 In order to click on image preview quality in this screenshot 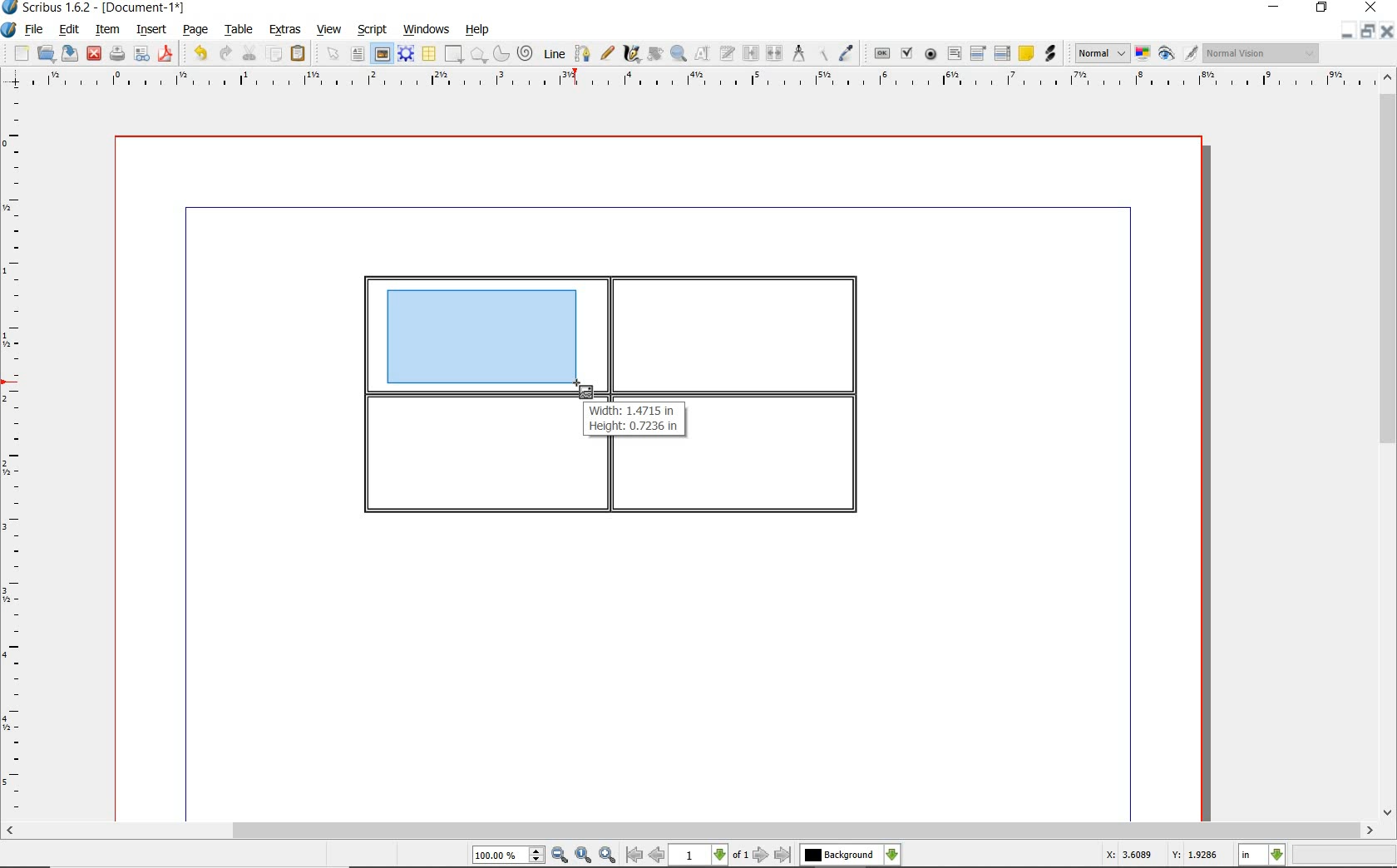, I will do `click(1101, 52)`.